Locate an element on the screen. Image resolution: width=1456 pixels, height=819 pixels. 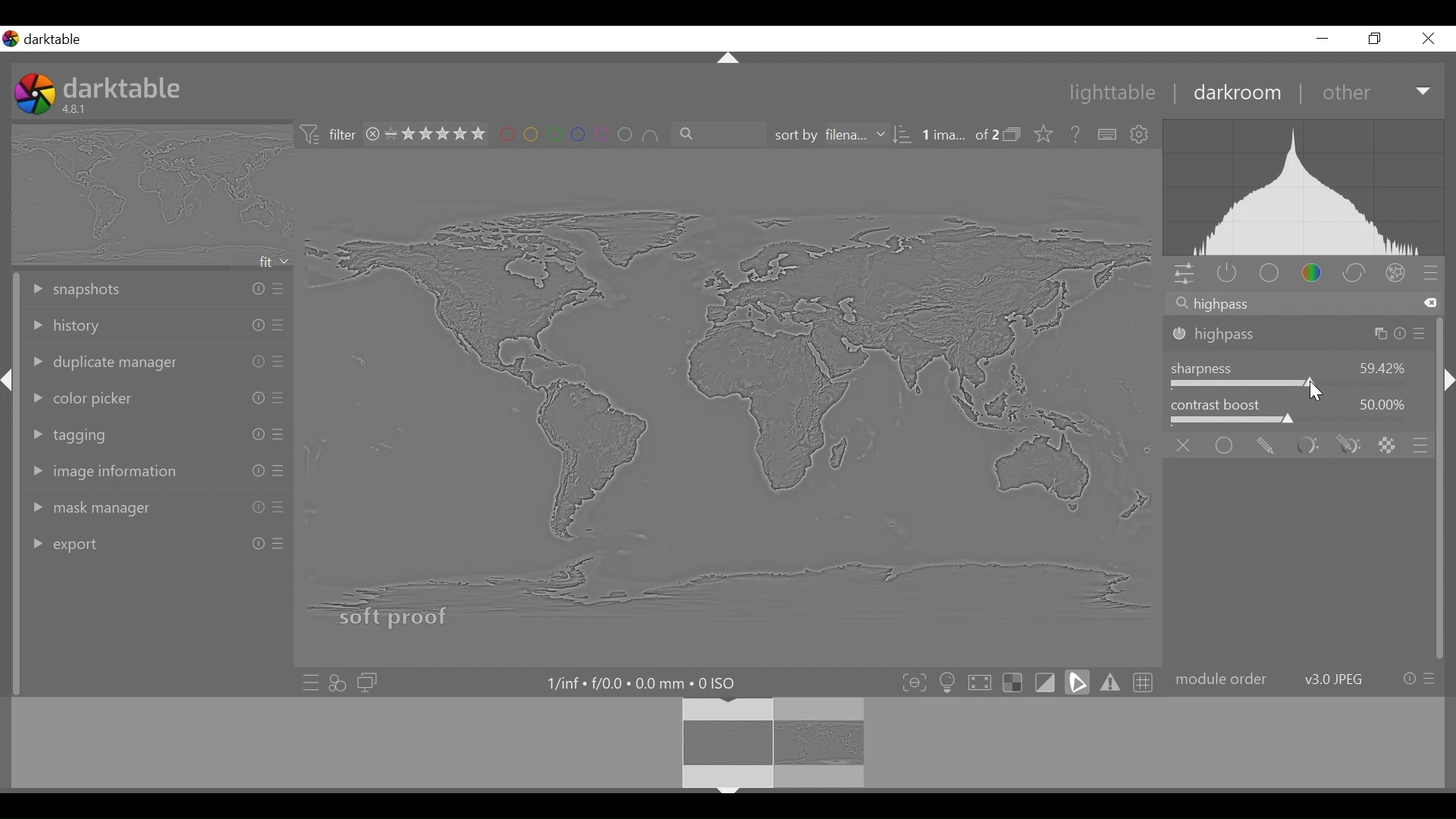
image information is located at coordinates (161, 470).